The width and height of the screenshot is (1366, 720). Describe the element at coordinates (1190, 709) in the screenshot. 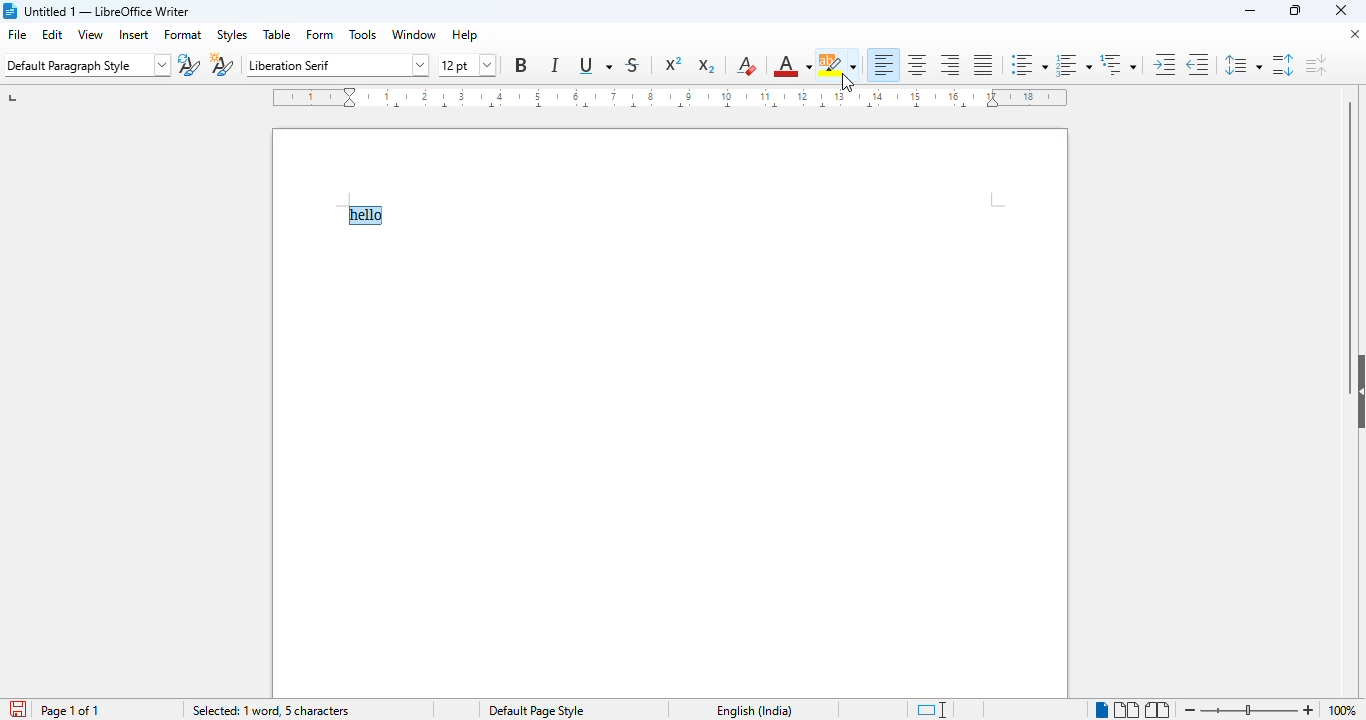

I see `zoom out` at that location.